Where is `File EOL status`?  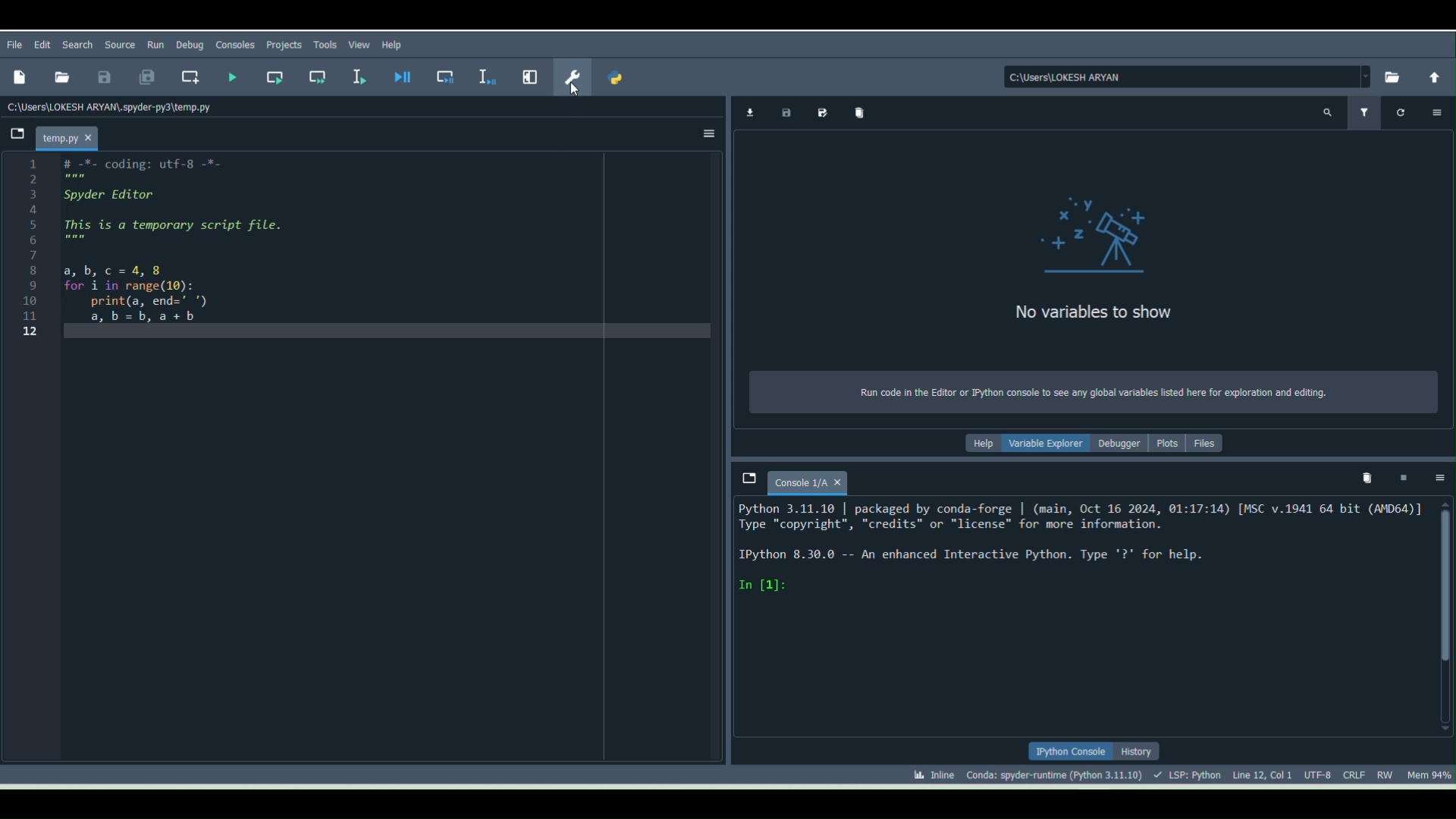
File EOL status is located at coordinates (1357, 775).